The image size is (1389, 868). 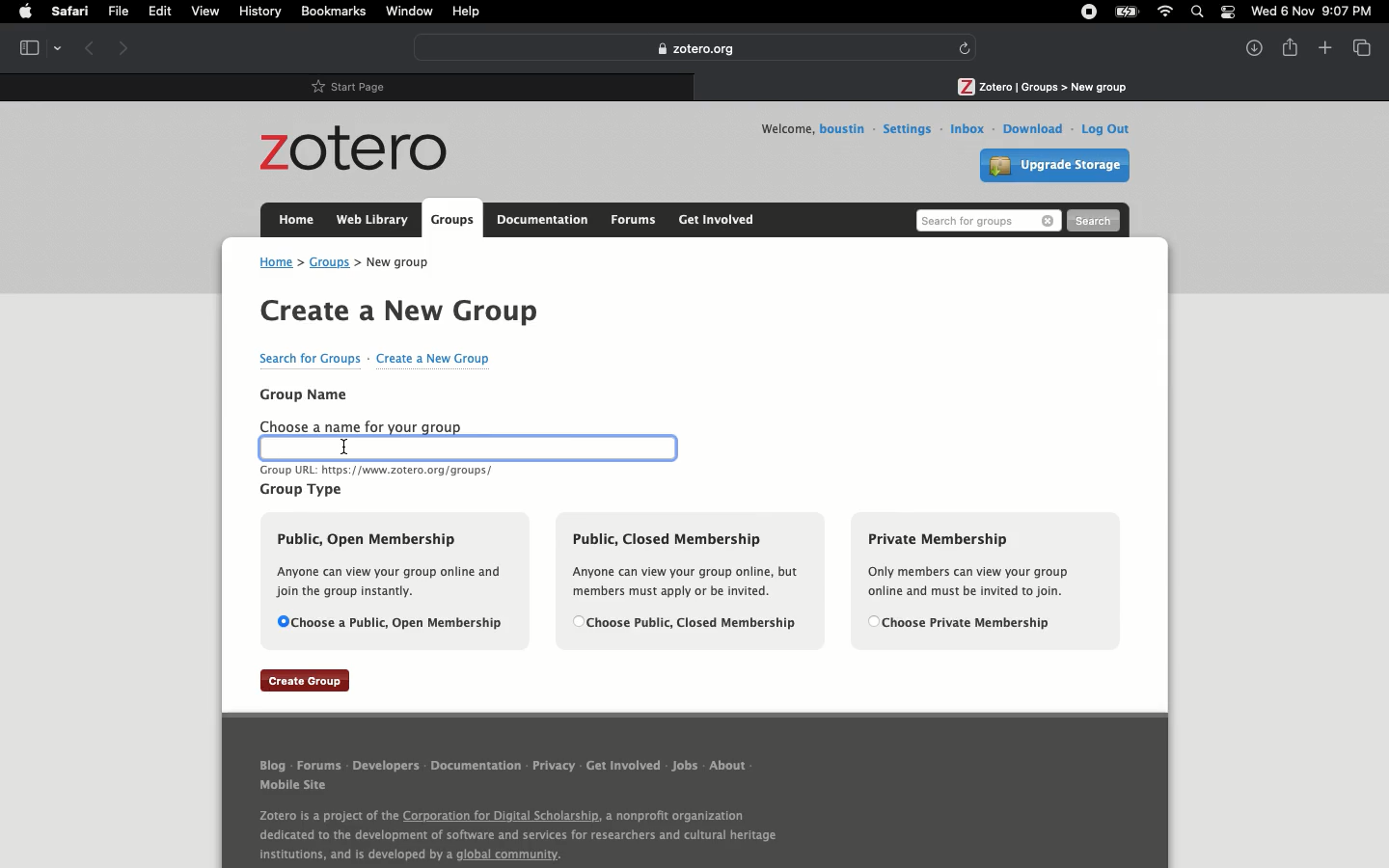 I want to click on Home, so click(x=292, y=218).